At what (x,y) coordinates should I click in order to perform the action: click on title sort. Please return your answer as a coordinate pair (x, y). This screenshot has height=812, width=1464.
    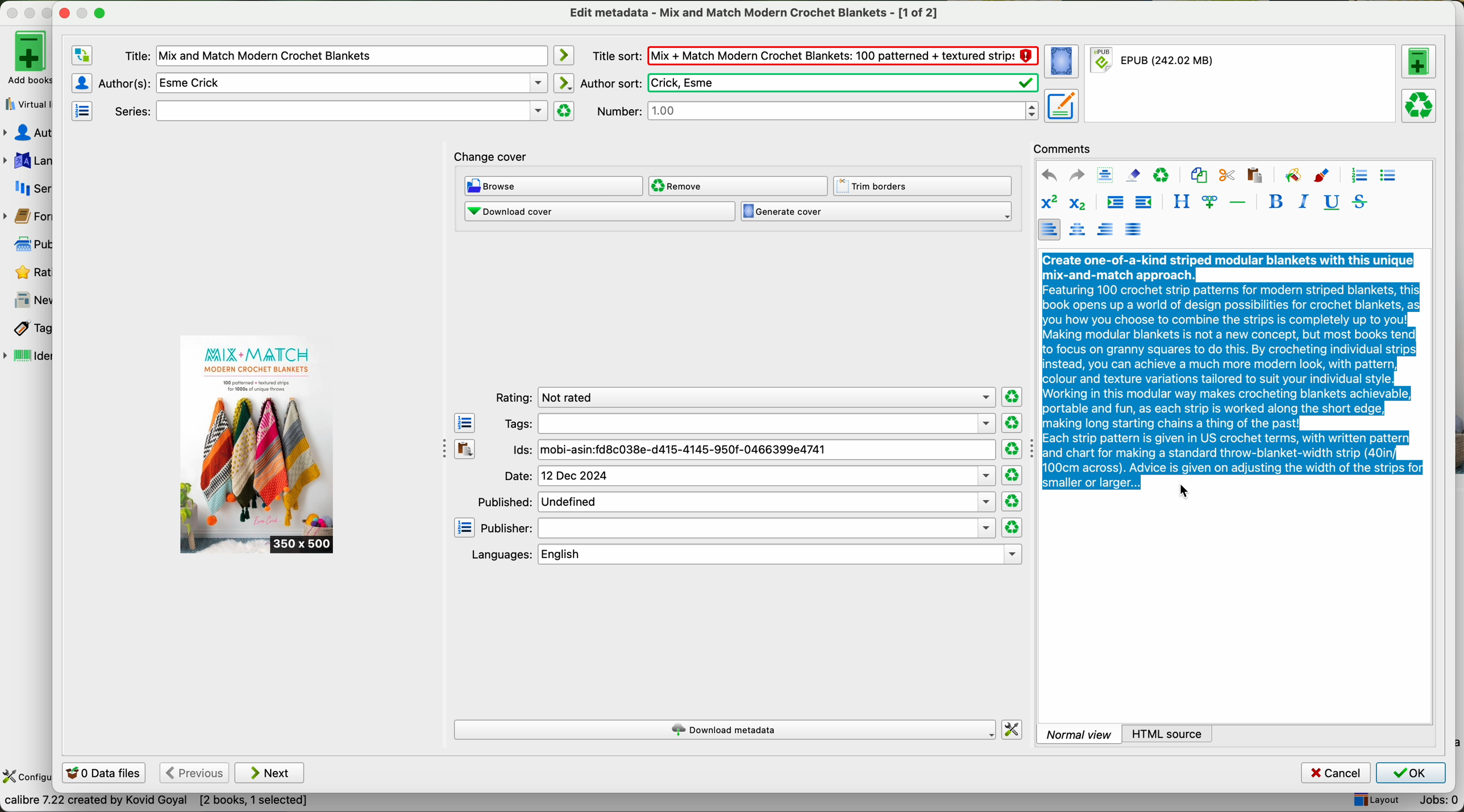
    Looking at the image, I should click on (814, 55).